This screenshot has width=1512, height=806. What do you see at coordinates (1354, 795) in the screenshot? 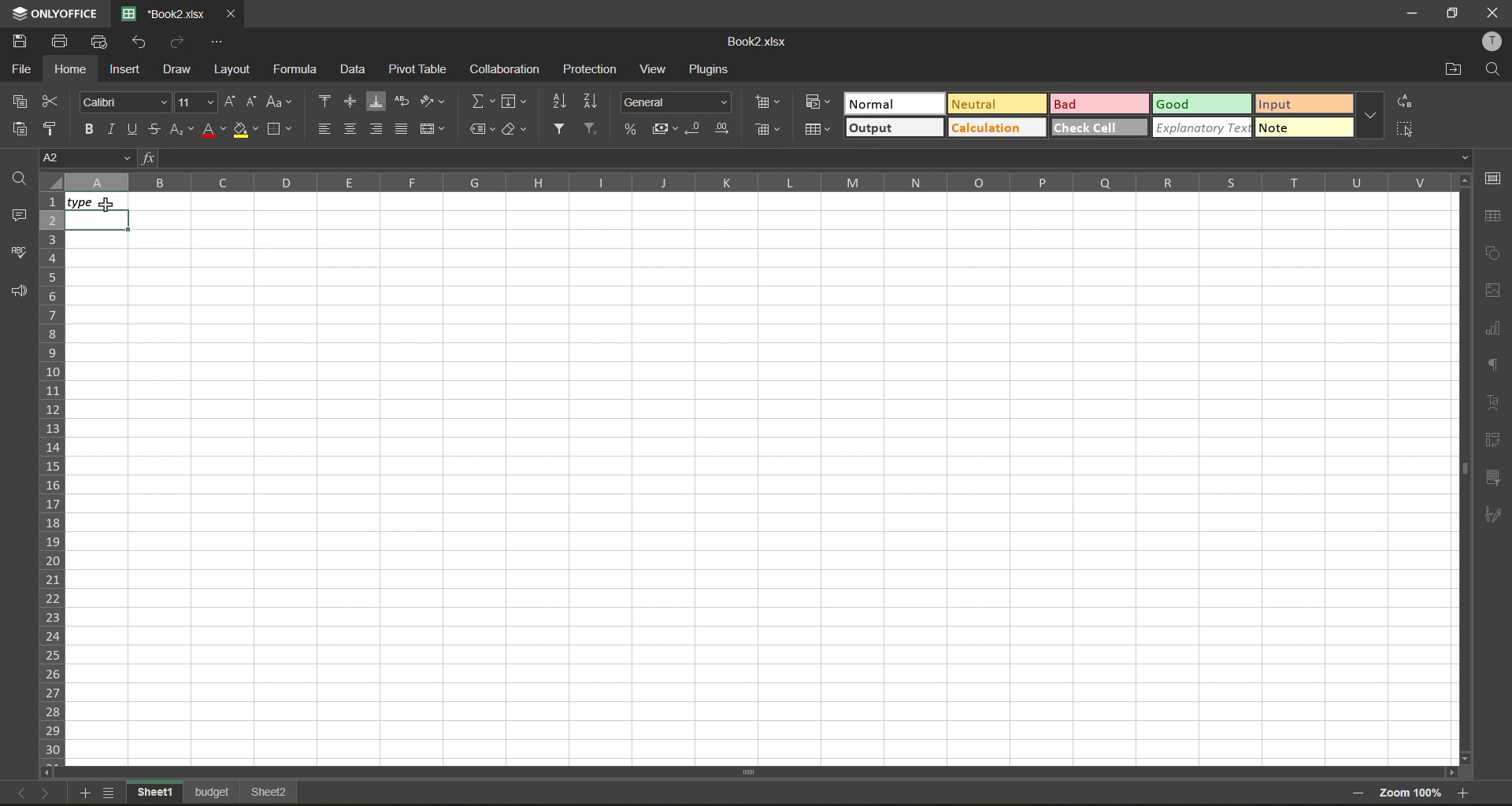
I see `zoom out` at bounding box center [1354, 795].